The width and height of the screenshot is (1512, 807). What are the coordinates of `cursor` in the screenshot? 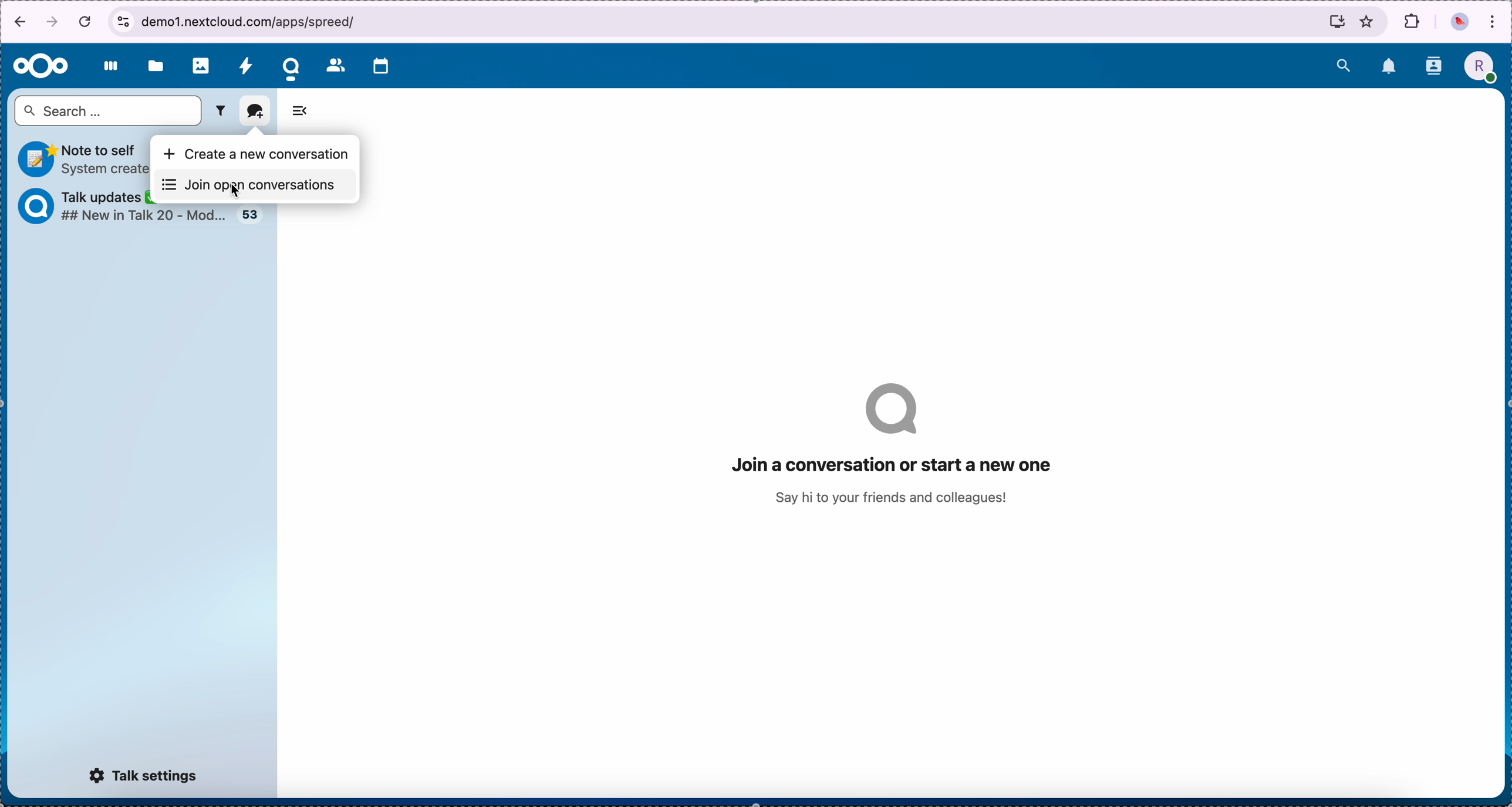 It's located at (236, 191).